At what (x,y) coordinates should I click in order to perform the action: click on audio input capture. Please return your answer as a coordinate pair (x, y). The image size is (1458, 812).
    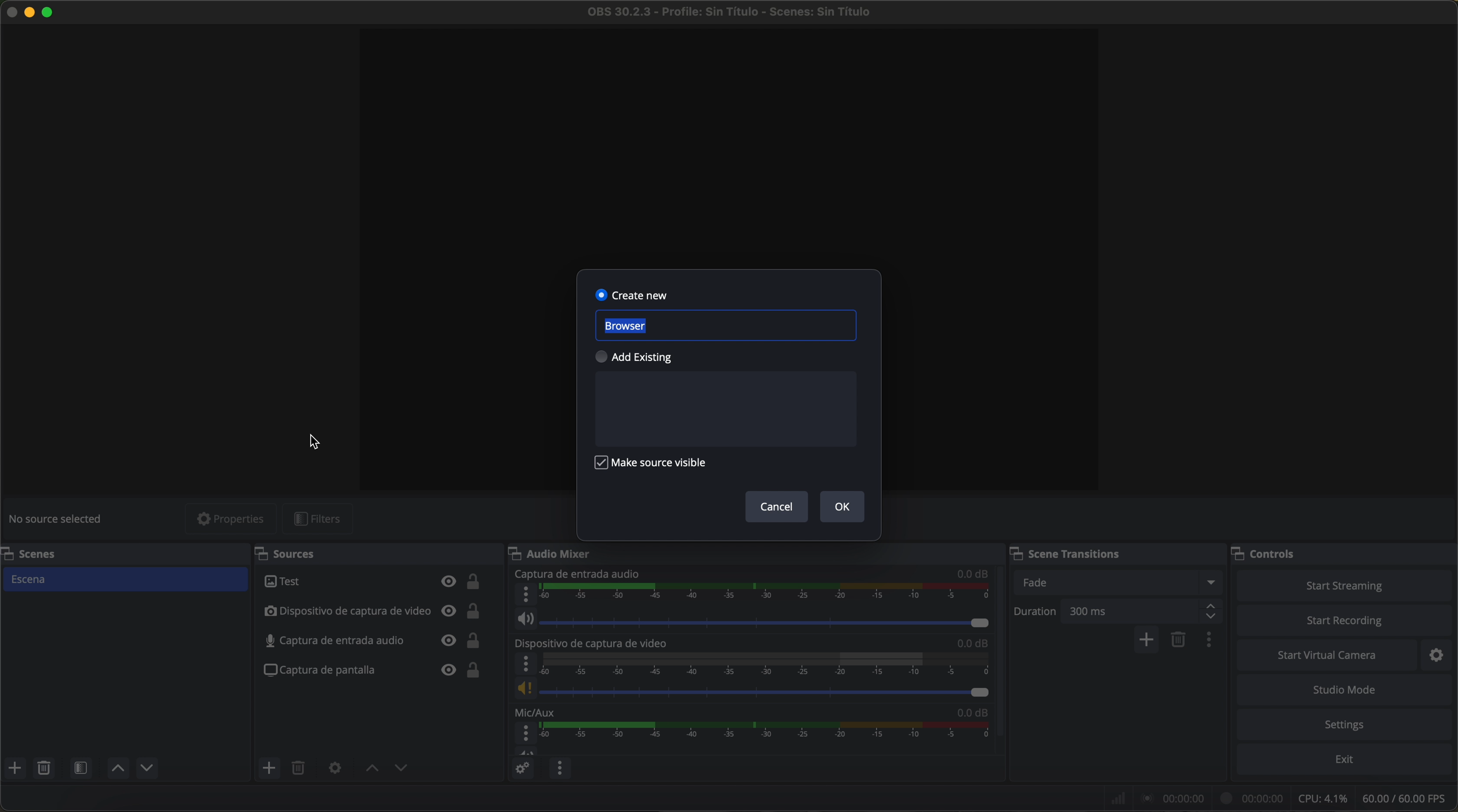
    Looking at the image, I should click on (375, 641).